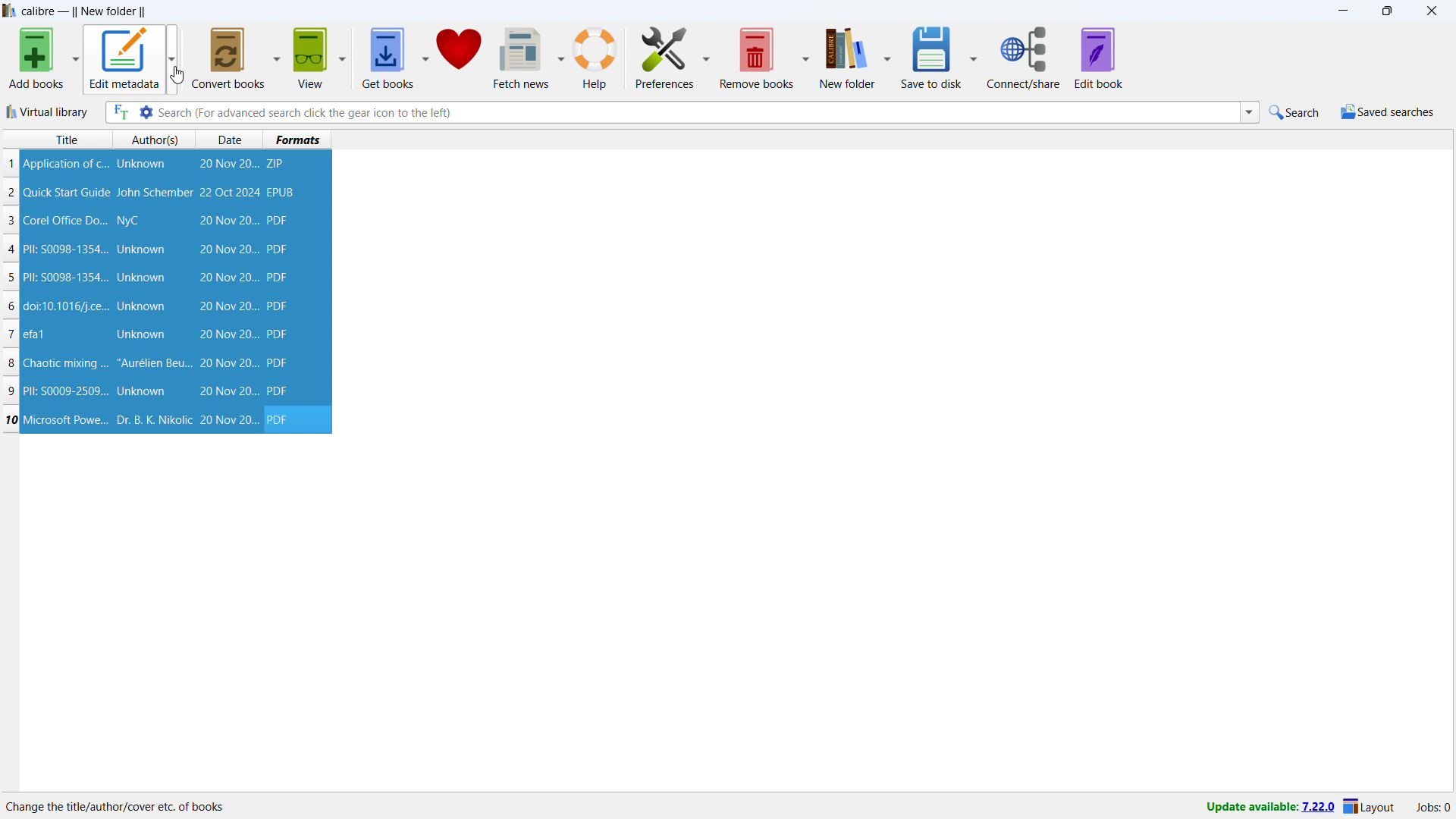 Image resolution: width=1456 pixels, height=819 pixels. Describe the element at coordinates (227, 363) in the screenshot. I see `20 Nov 20...` at that location.